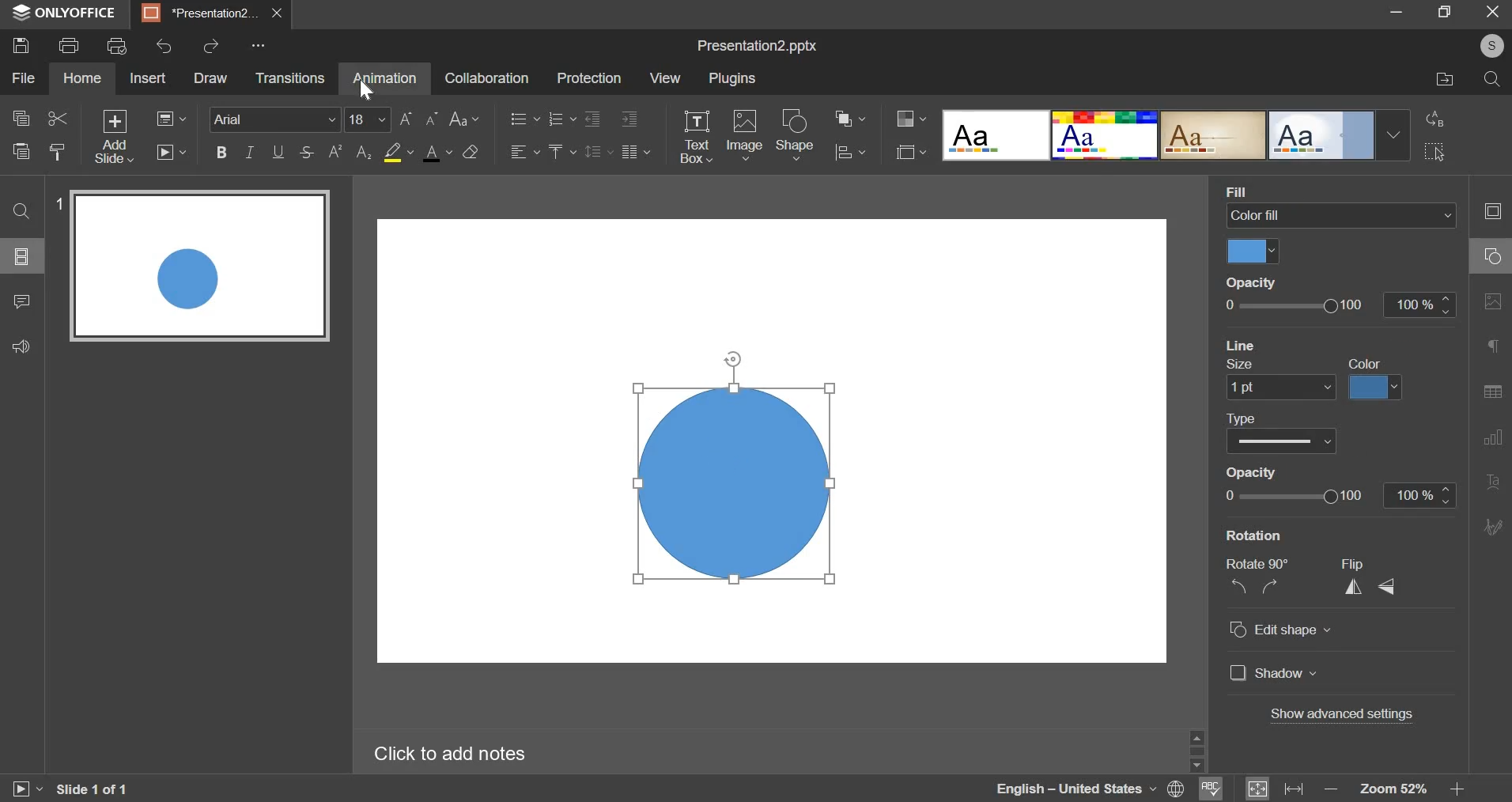 The image size is (1512, 802). I want to click on print preview, so click(119, 46).